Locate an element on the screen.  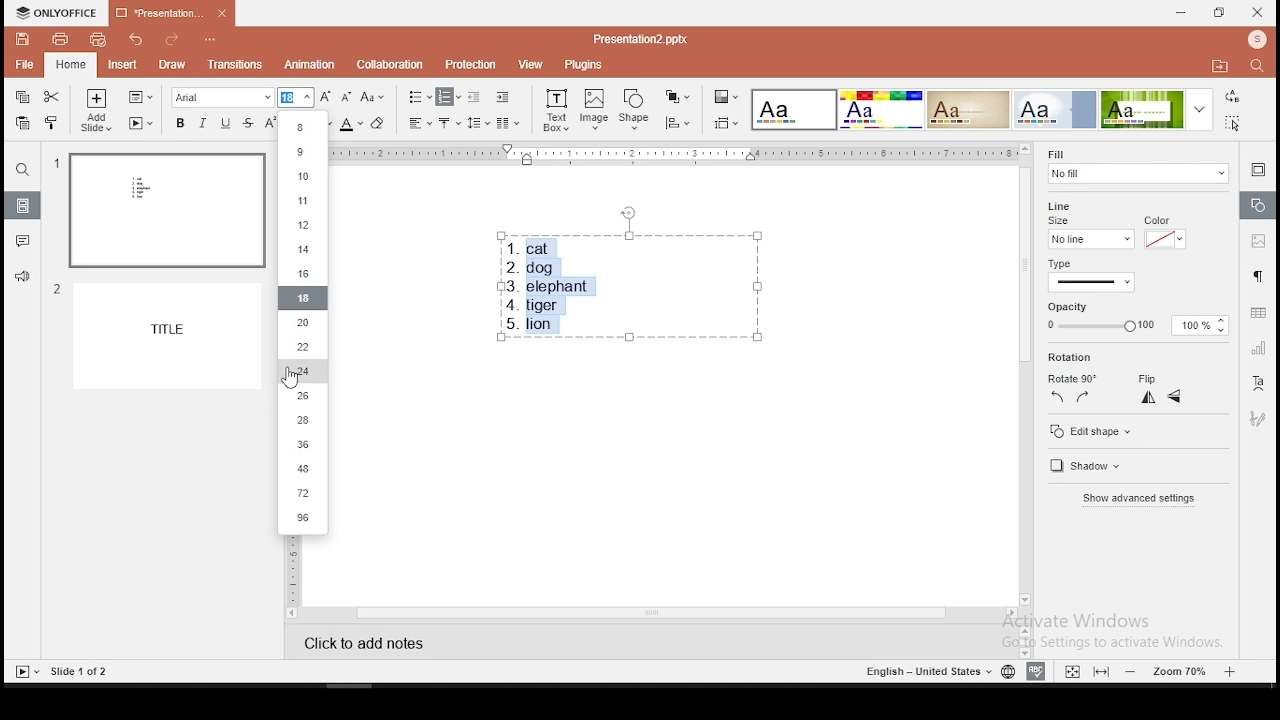
protection is located at coordinates (470, 63).